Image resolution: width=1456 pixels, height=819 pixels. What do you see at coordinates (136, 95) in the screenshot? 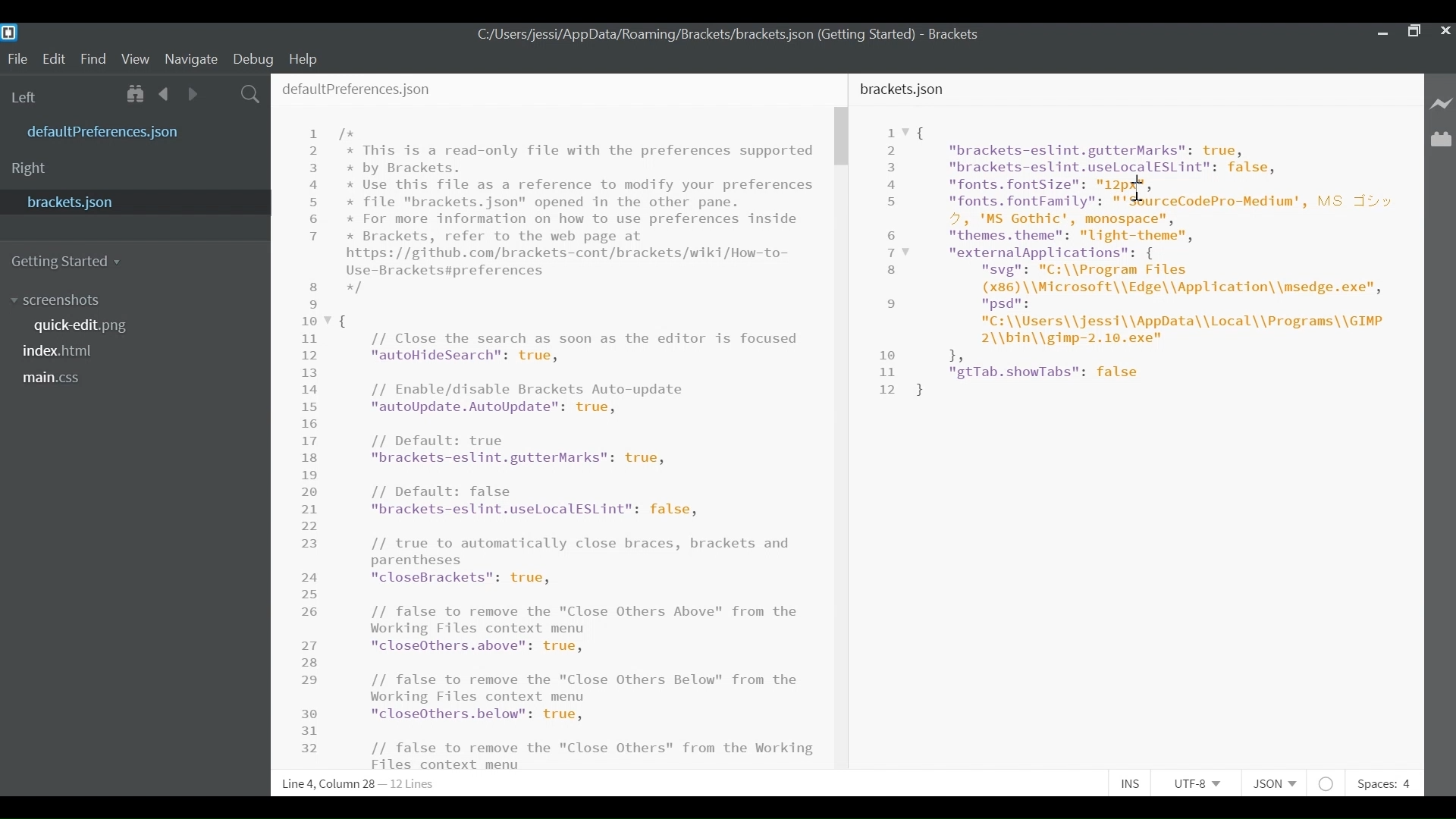
I see `Show in File` at bounding box center [136, 95].